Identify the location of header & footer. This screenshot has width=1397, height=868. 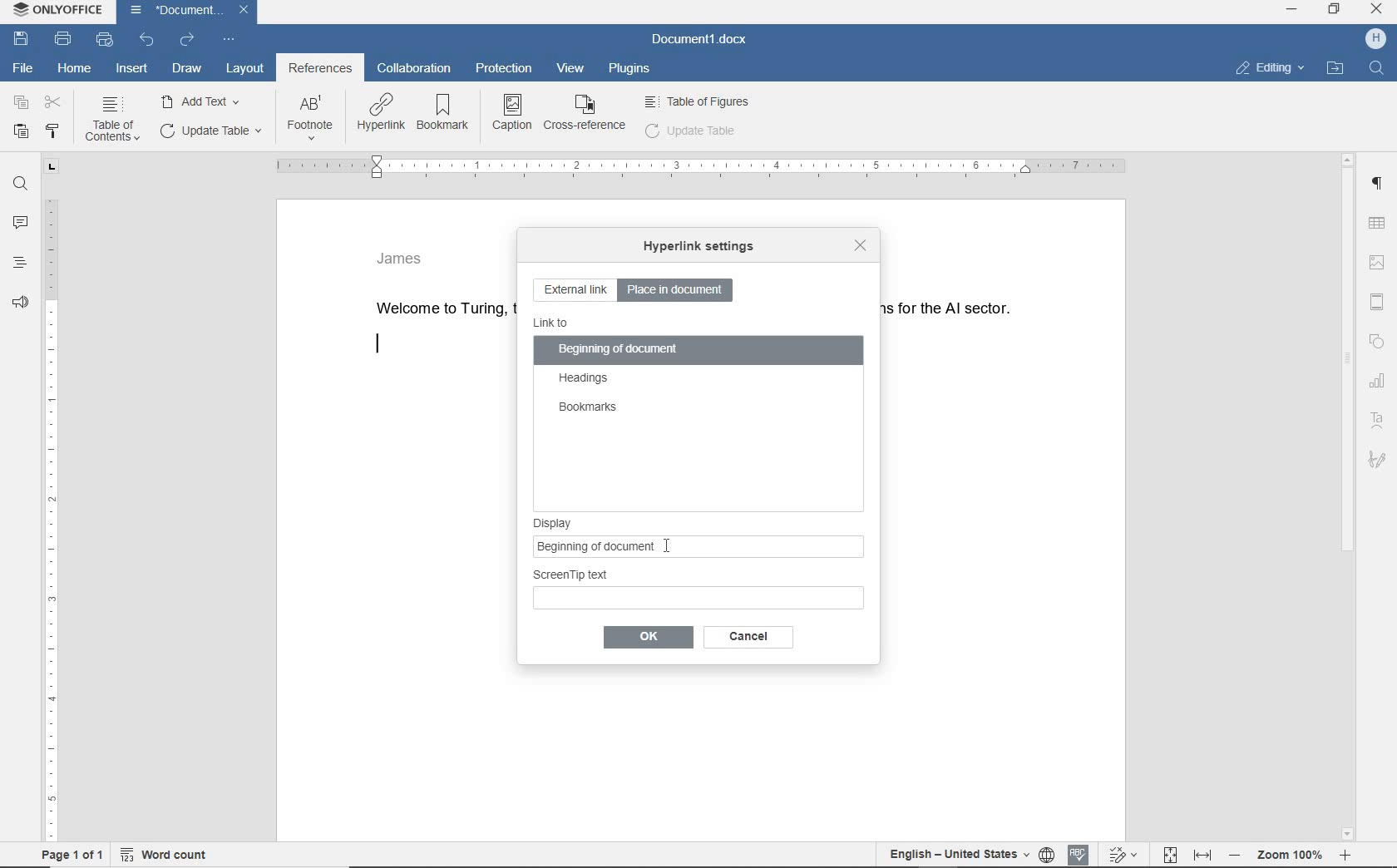
(1376, 300).